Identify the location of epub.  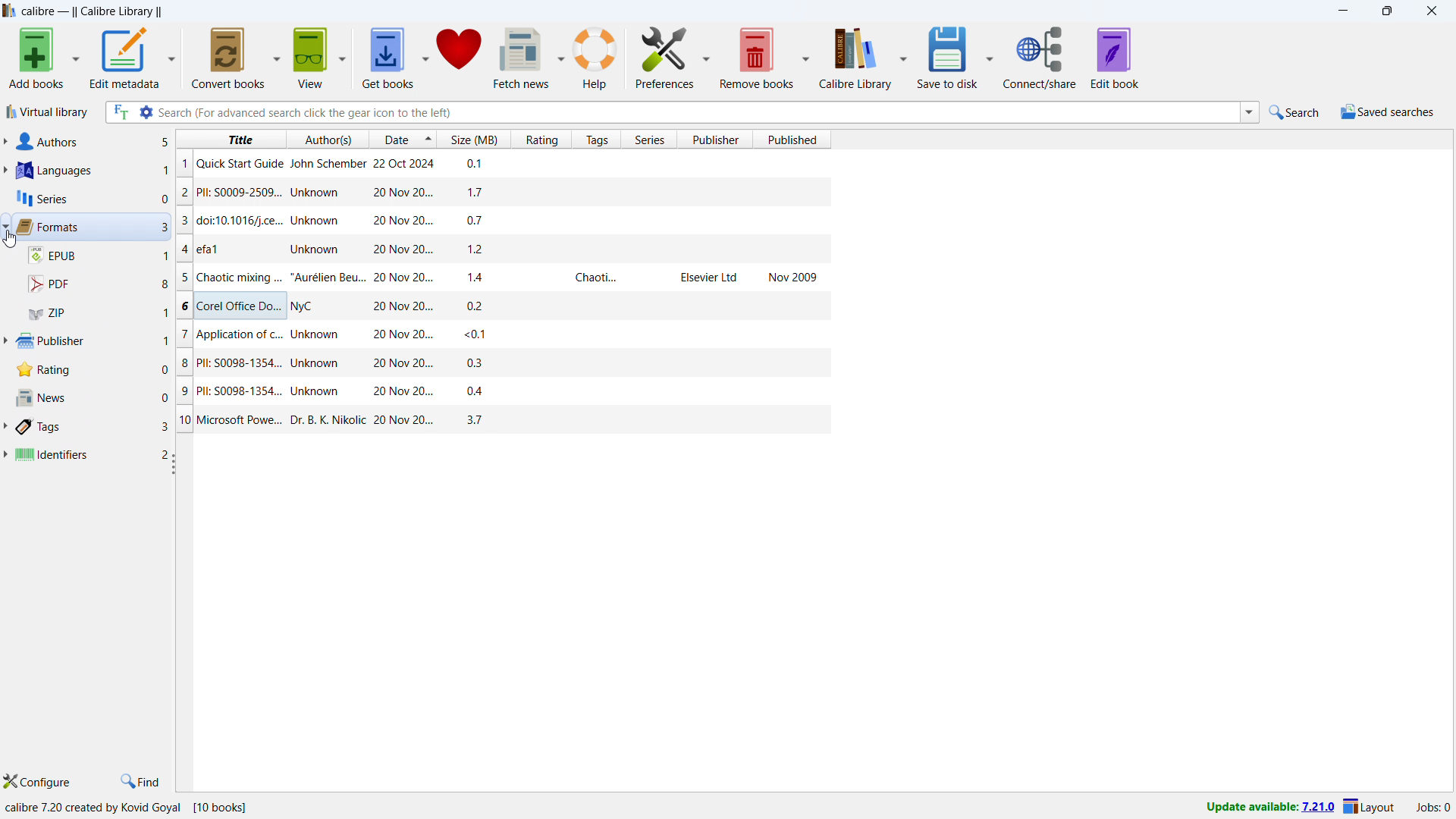
(98, 256).